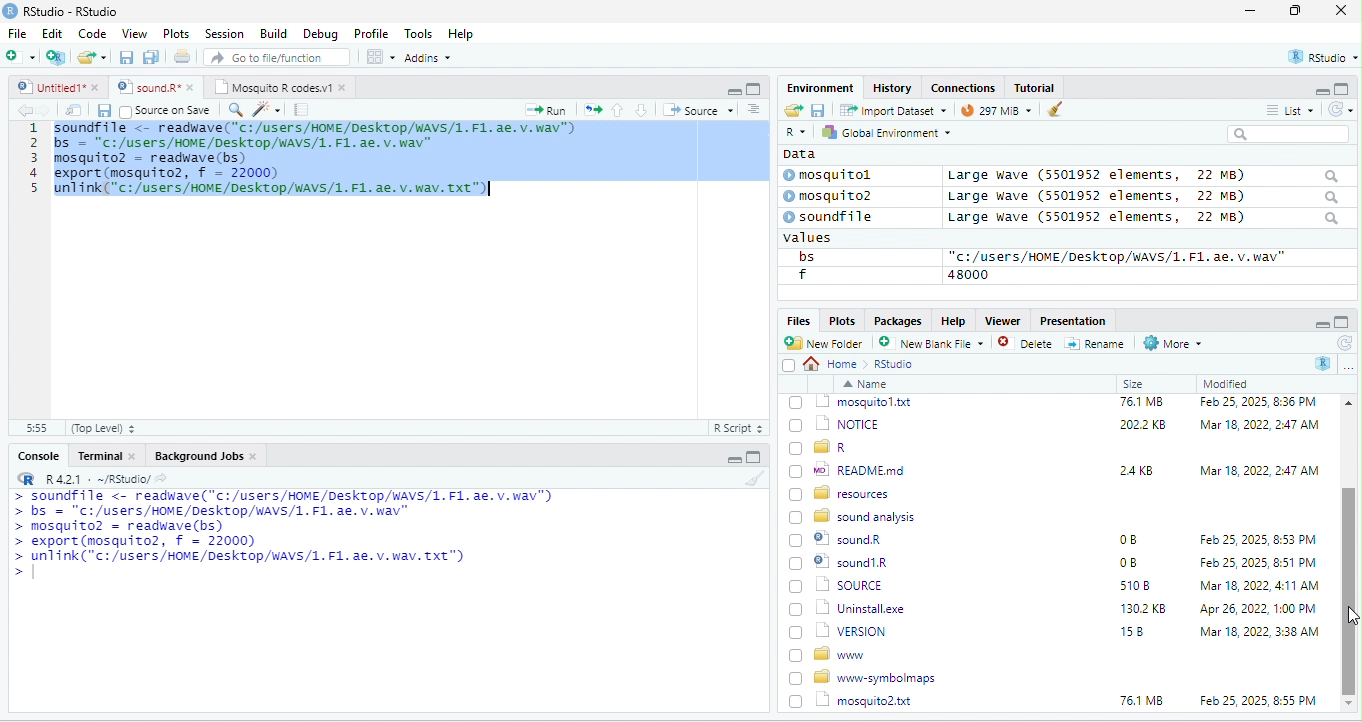 The image size is (1362, 722). Describe the element at coordinates (274, 33) in the screenshot. I see `Build` at that location.